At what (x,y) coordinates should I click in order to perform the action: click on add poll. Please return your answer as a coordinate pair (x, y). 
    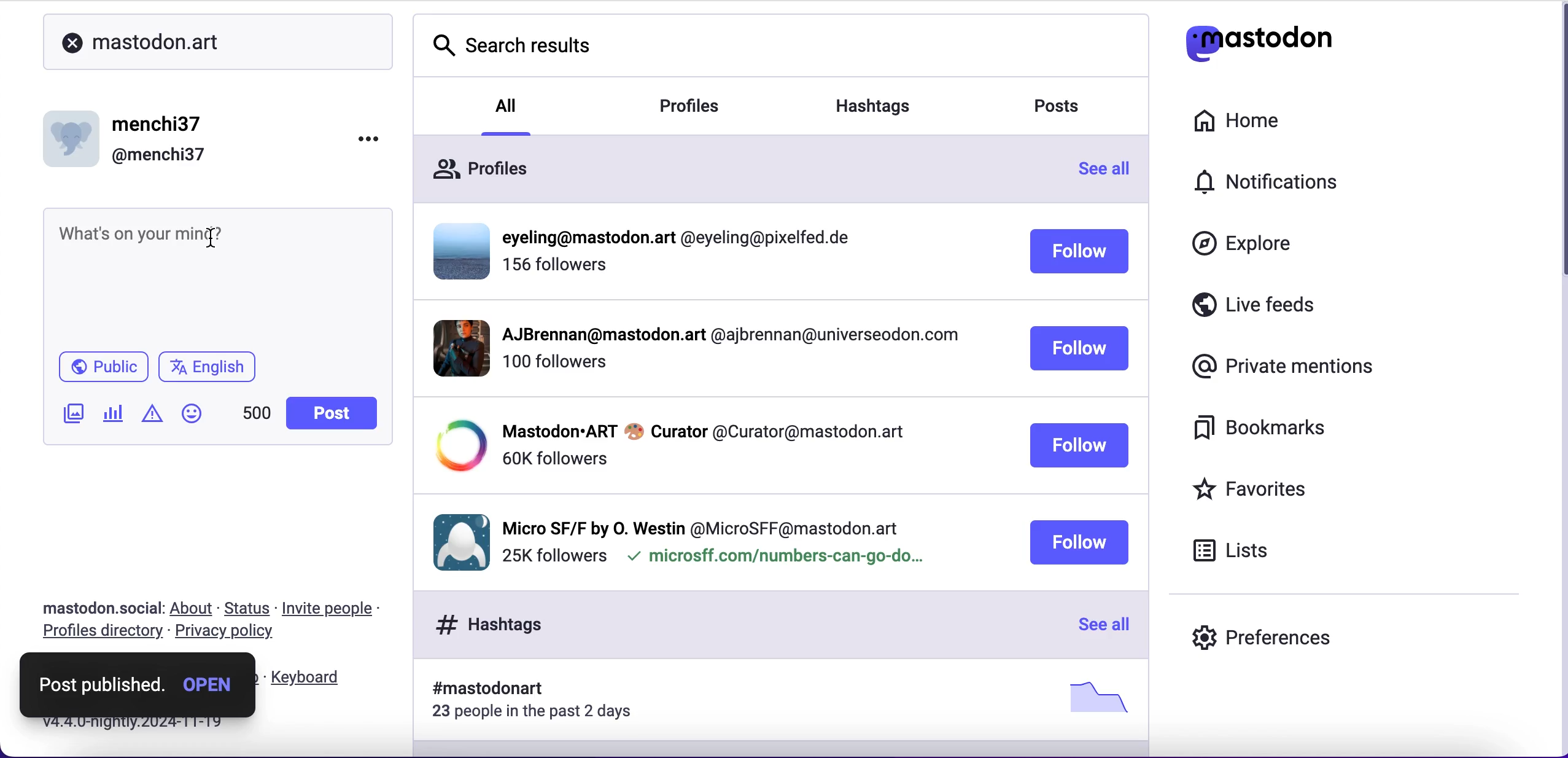
    Looking at the image, I should click on (114, 415).